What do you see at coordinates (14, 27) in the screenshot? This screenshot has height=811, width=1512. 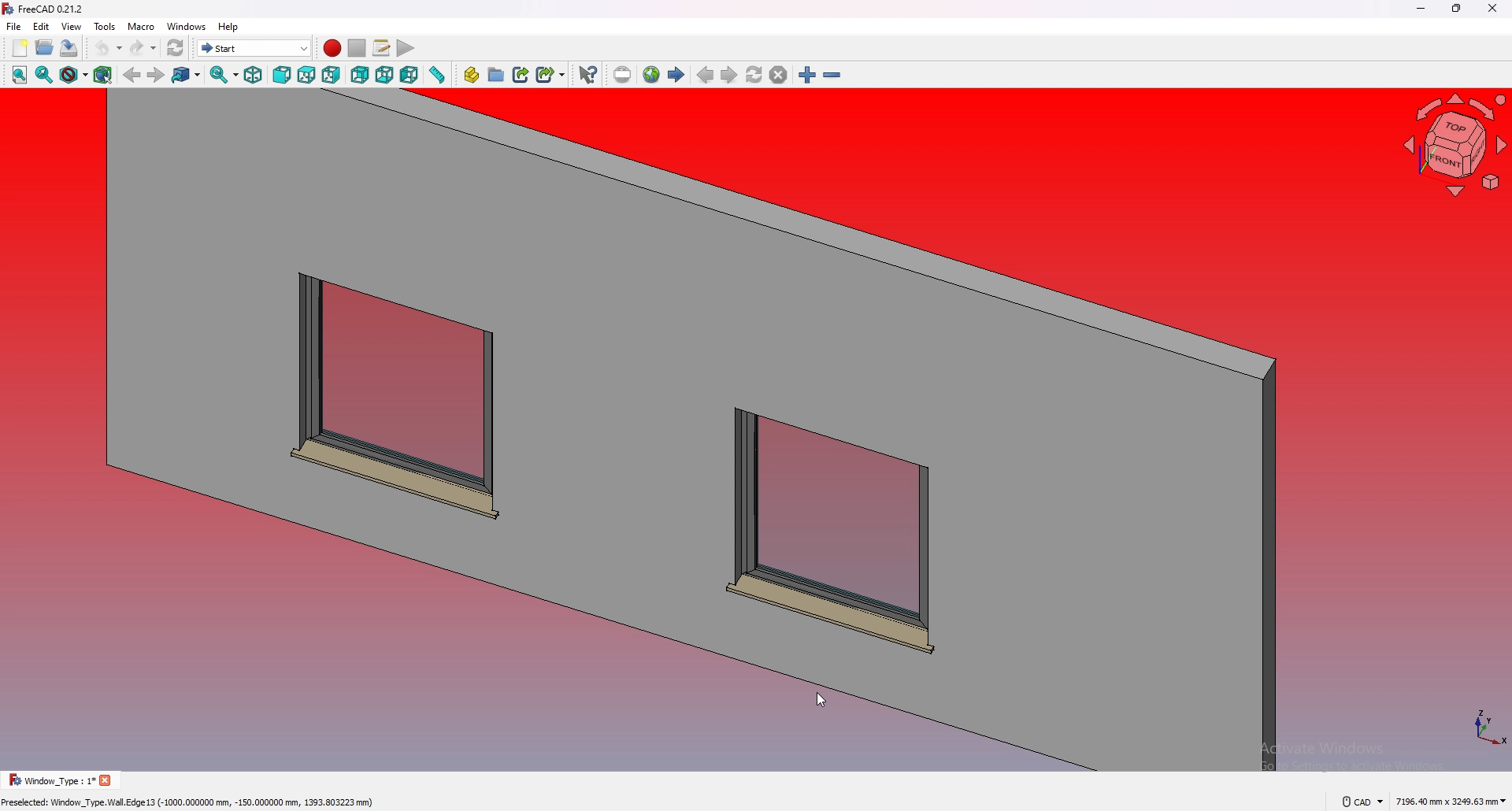 I see `file` at bounding box center [14, 27].